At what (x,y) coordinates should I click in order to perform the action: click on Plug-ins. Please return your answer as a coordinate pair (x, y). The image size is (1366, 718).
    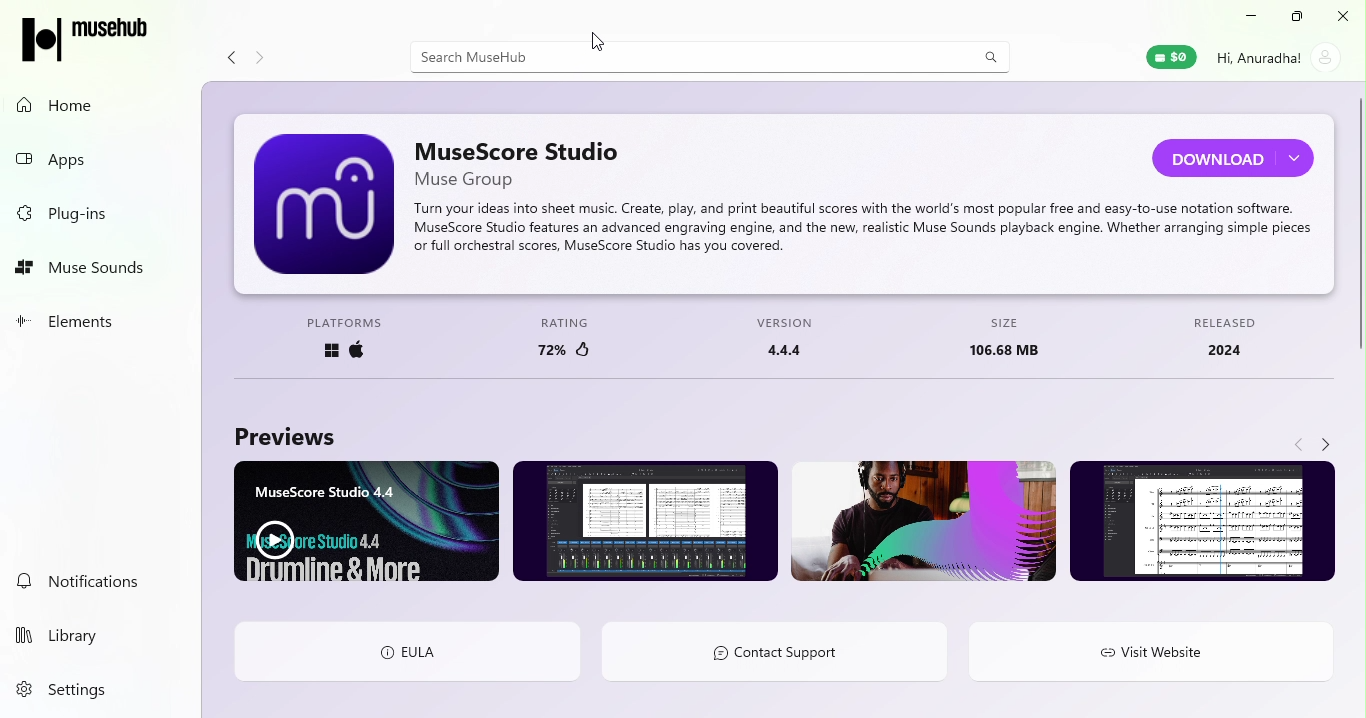
    Looking at the image, I should click on (97, 213).